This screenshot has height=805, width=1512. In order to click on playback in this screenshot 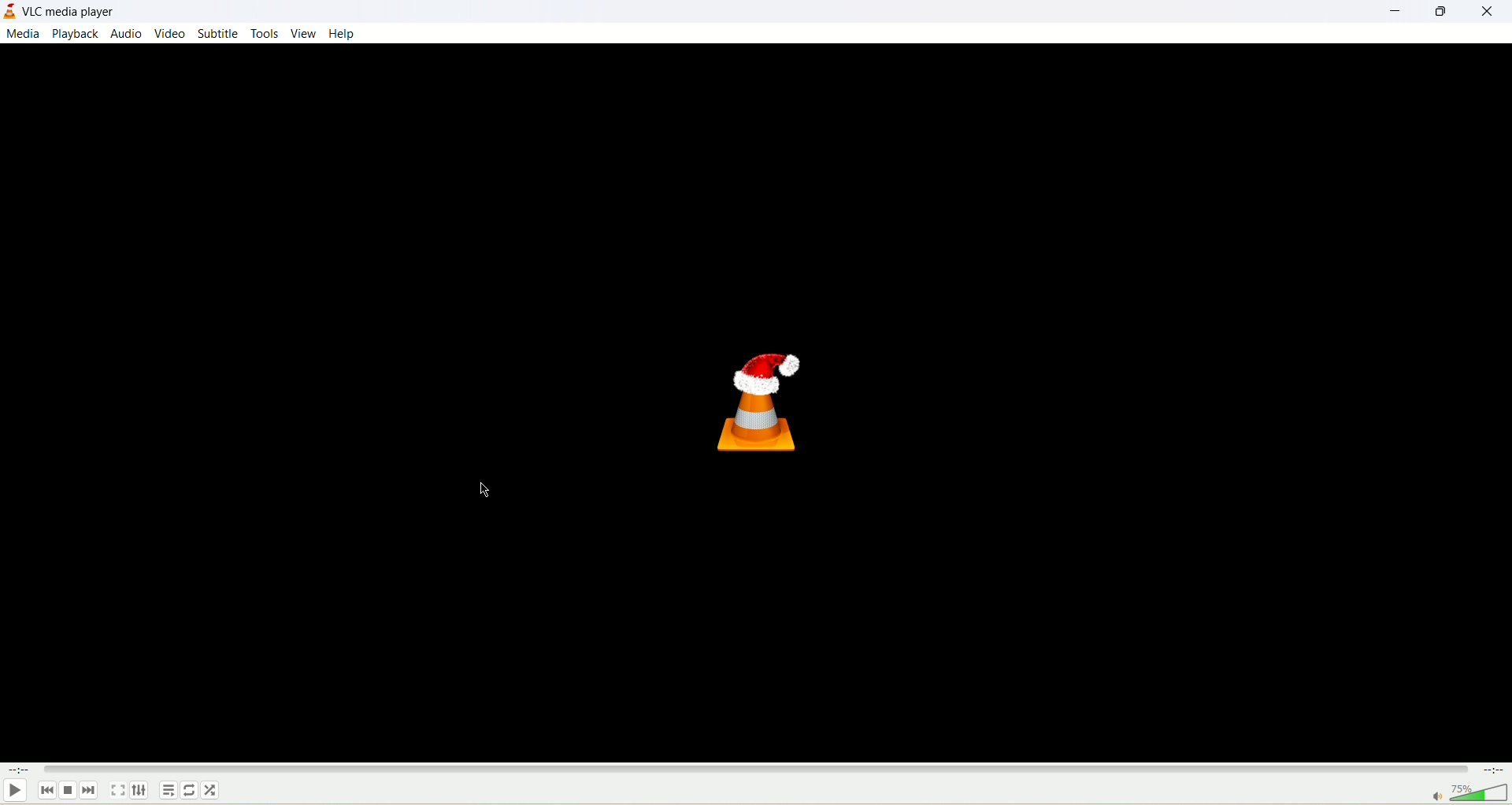, I will do `click(74, 34)`.